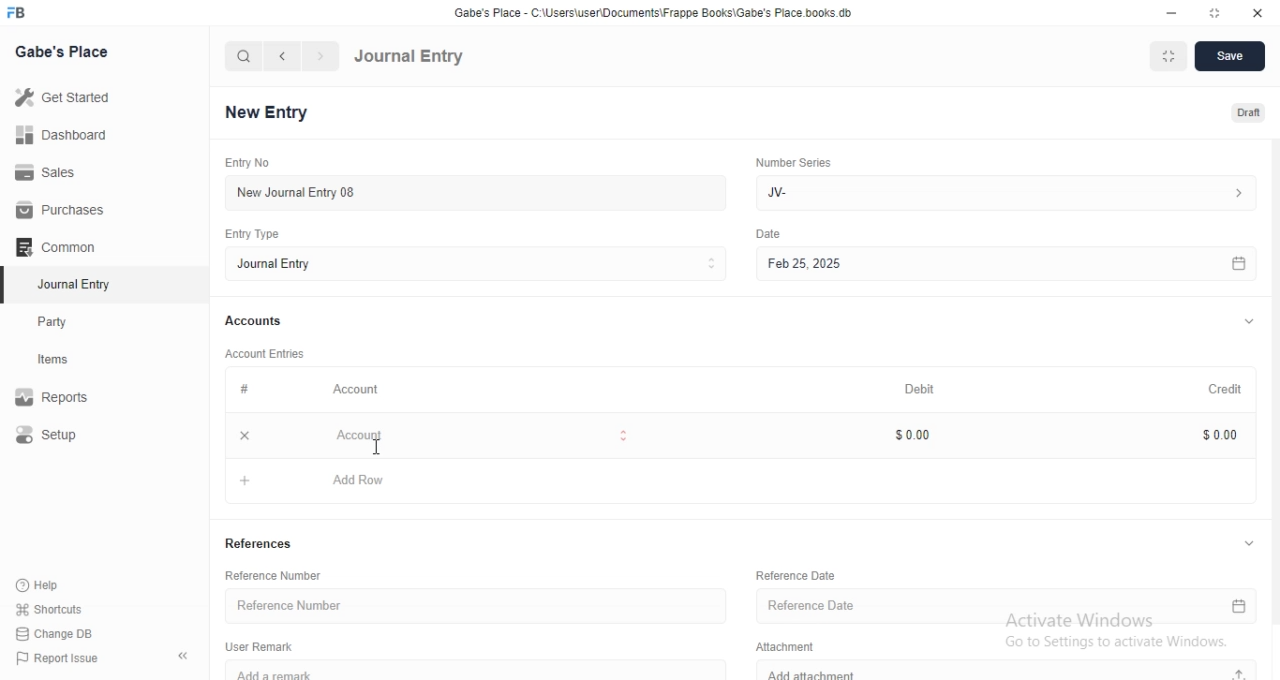  Describe the element at coordinates (1238, 111) in the screenshot. I see `Draft` at that location.